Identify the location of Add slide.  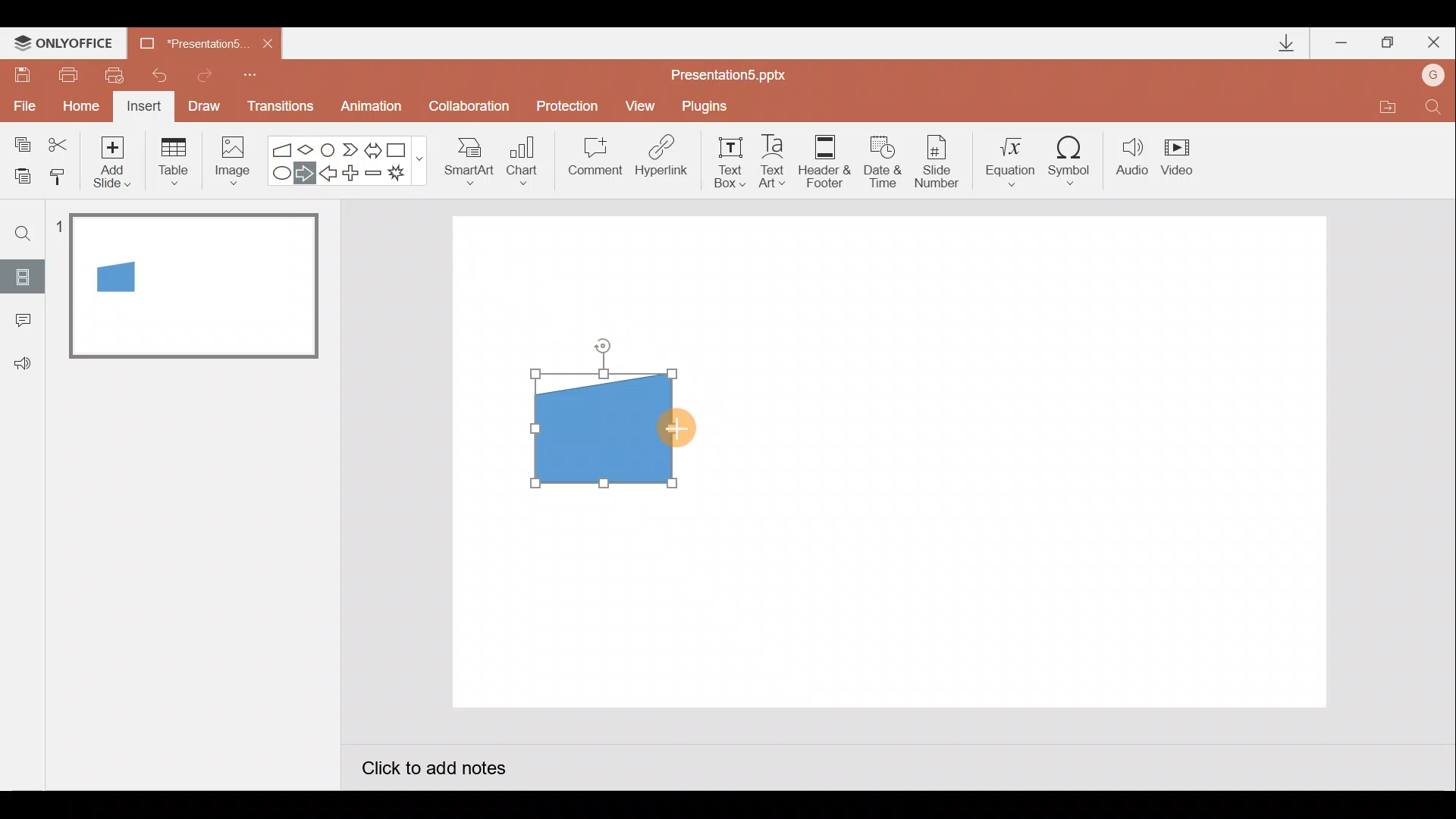
(115, 161).